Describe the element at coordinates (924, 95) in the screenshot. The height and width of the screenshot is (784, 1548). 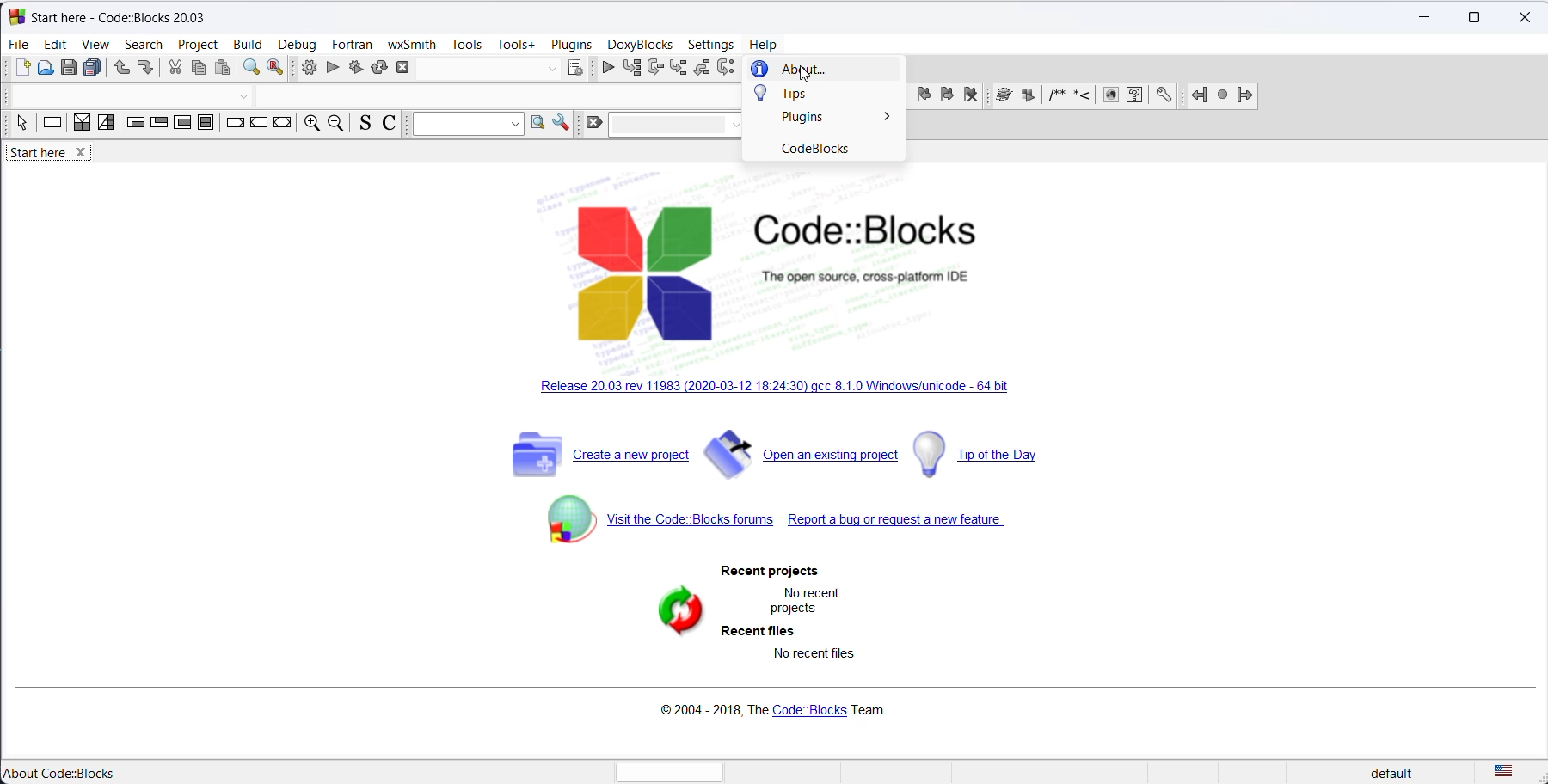
I see `previous bookmark` at that location.